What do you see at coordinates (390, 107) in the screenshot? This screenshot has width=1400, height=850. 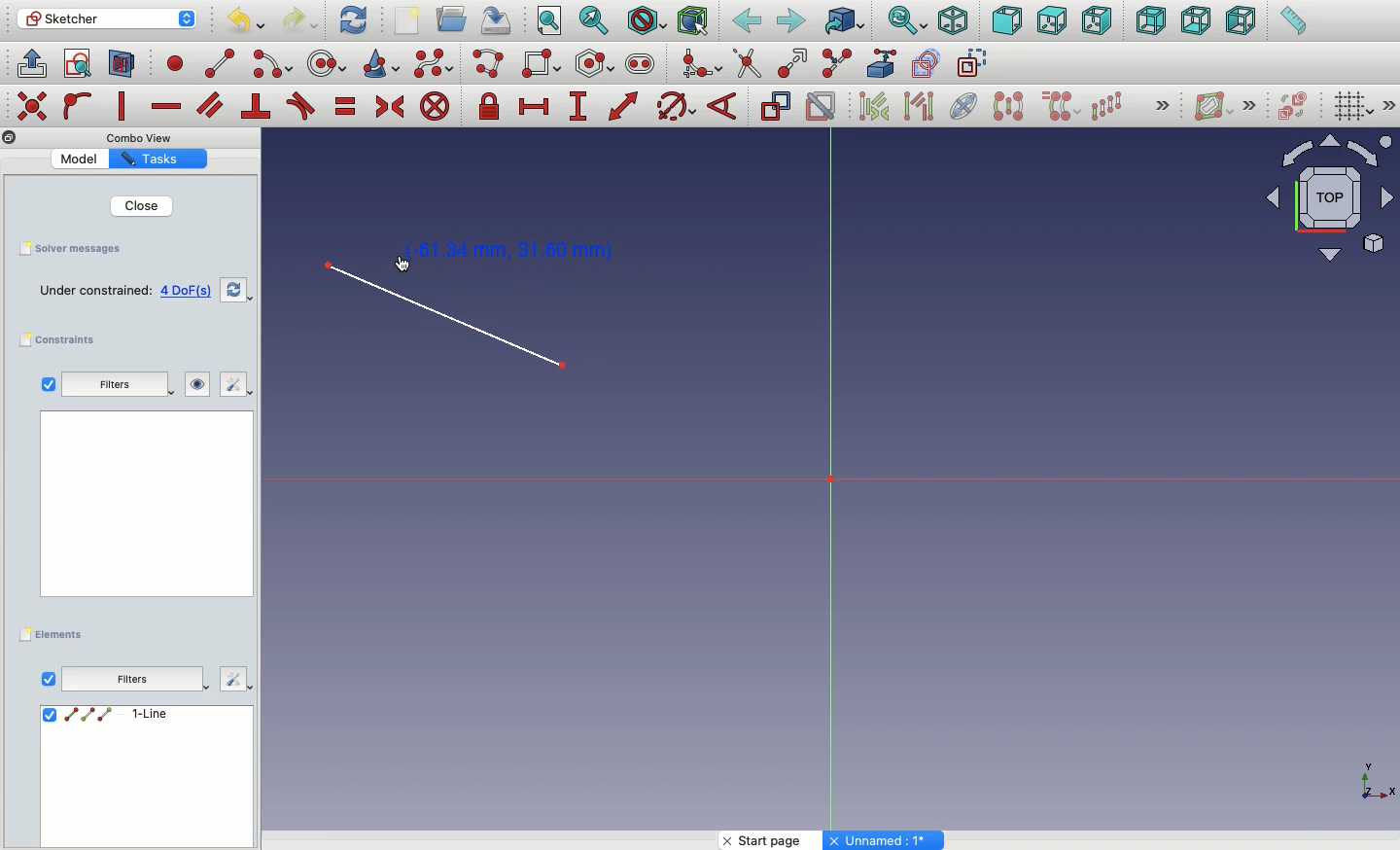 I see `Constrain symmetrical` at bounding box center [390, 107].